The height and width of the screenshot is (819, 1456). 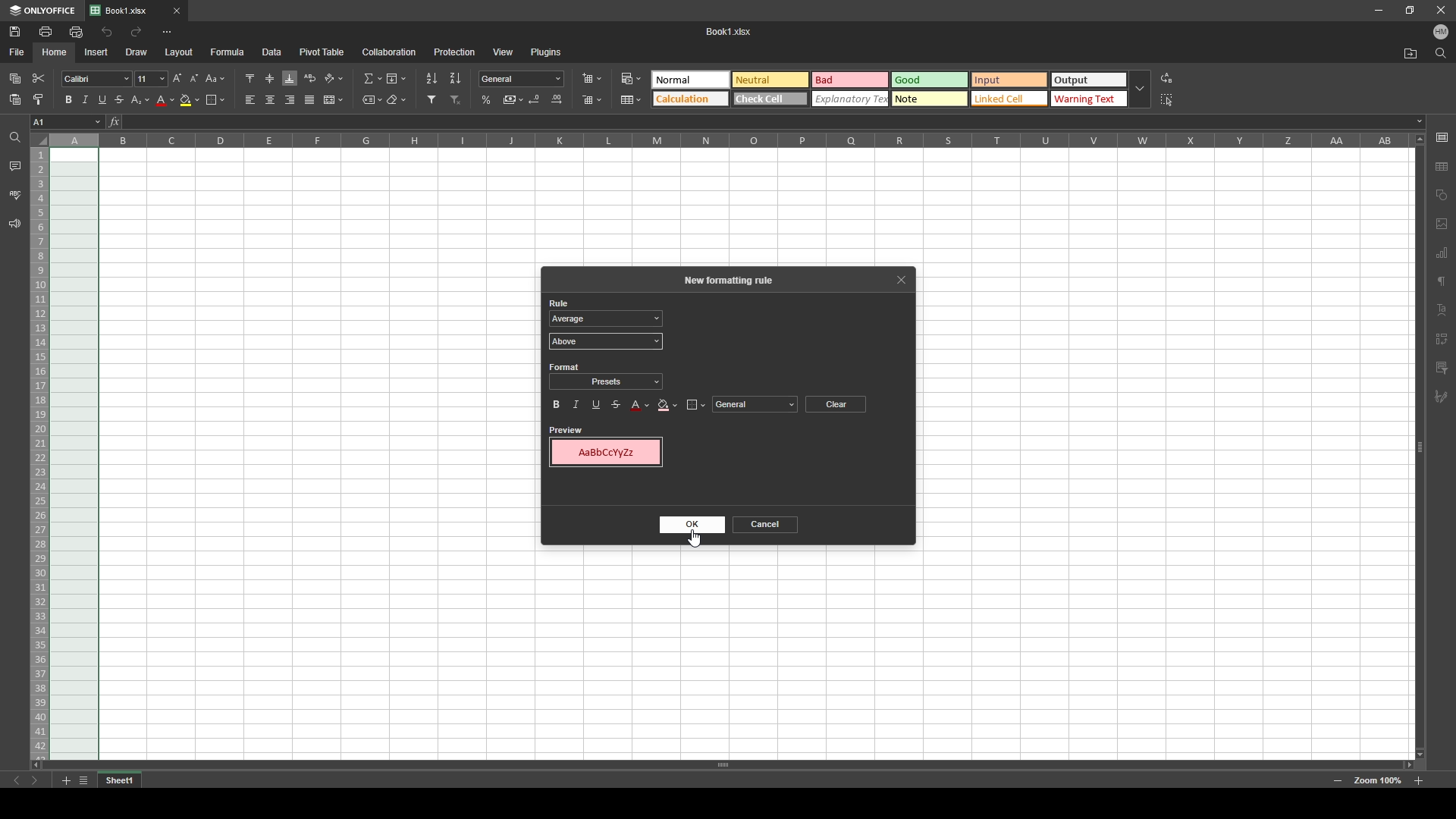 I want to click on next, so click(x=35, y=781).